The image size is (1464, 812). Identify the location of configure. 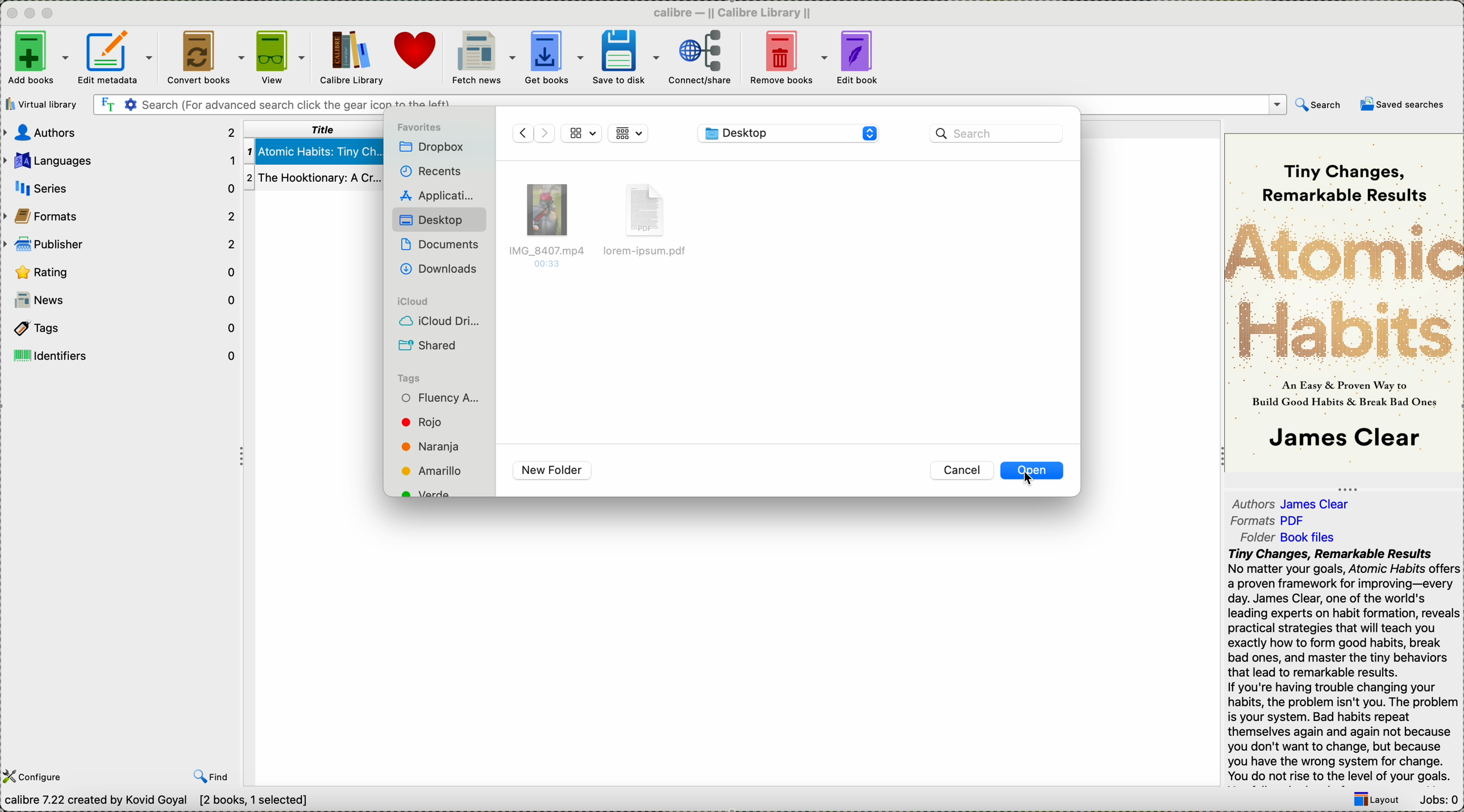
(36, 776).